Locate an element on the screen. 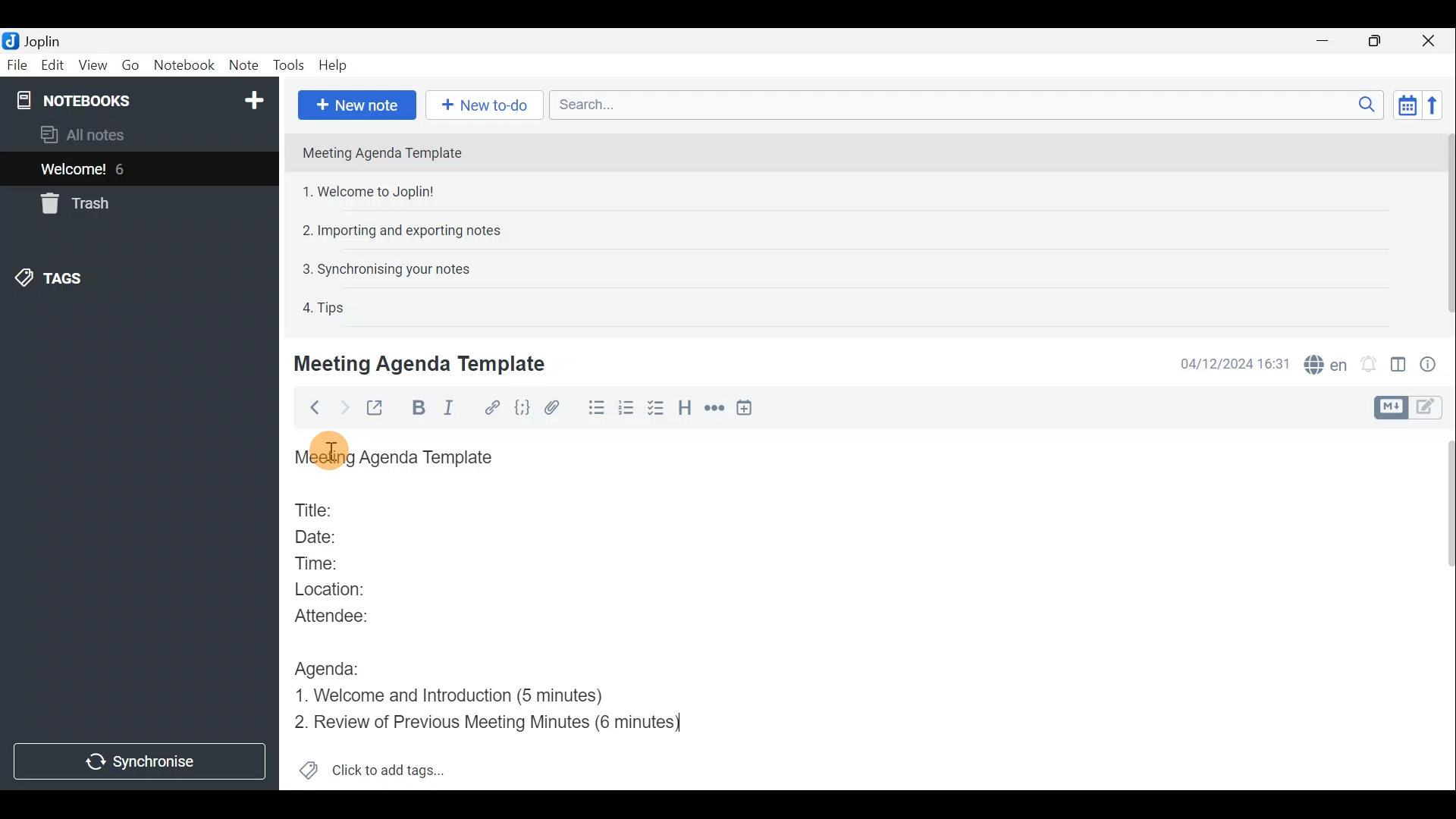 This screenshot has width=1456, height=819. Time: is located at coordinates (317, 560).